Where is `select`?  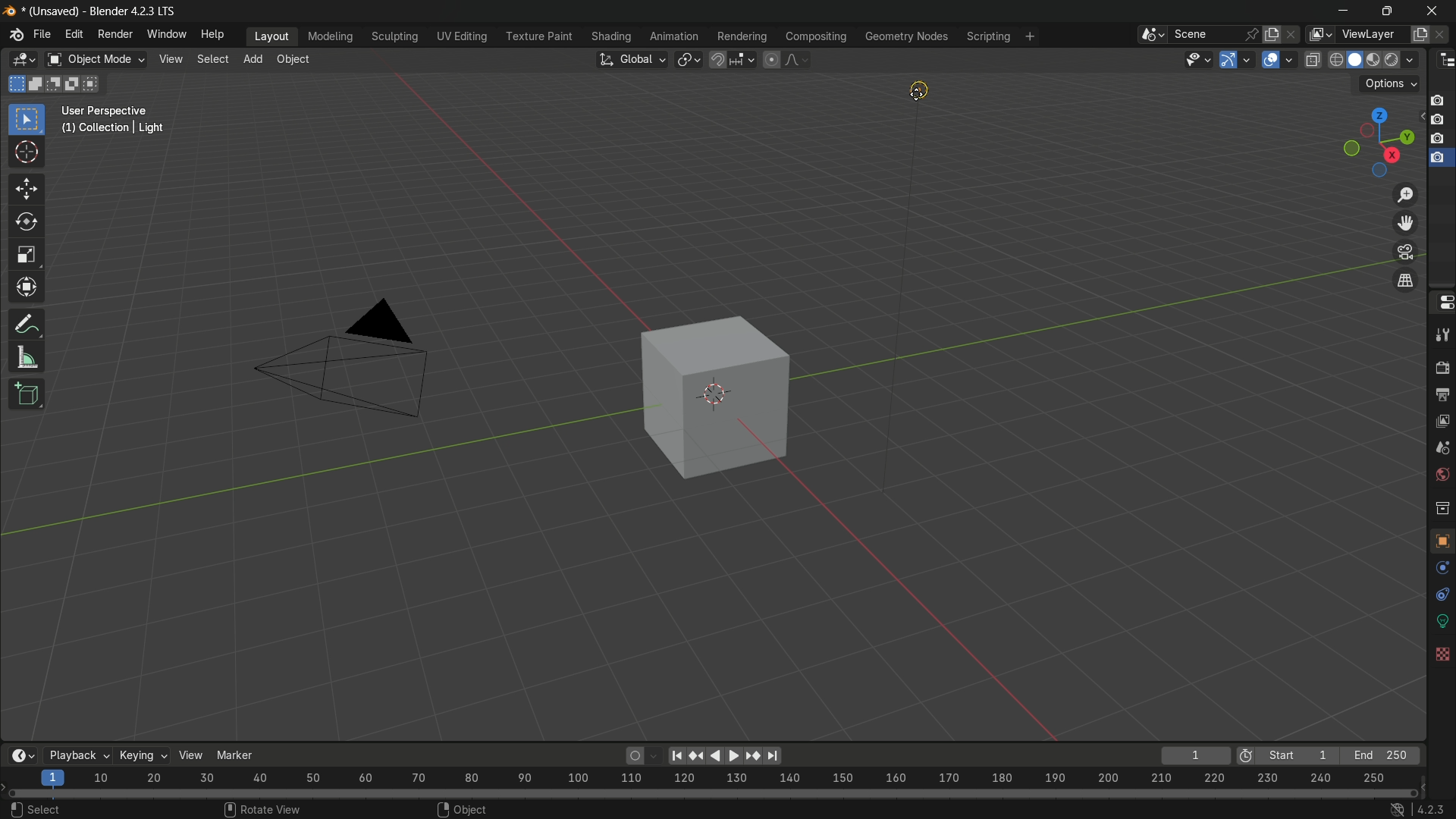 select is located at coordinates (211, 61).